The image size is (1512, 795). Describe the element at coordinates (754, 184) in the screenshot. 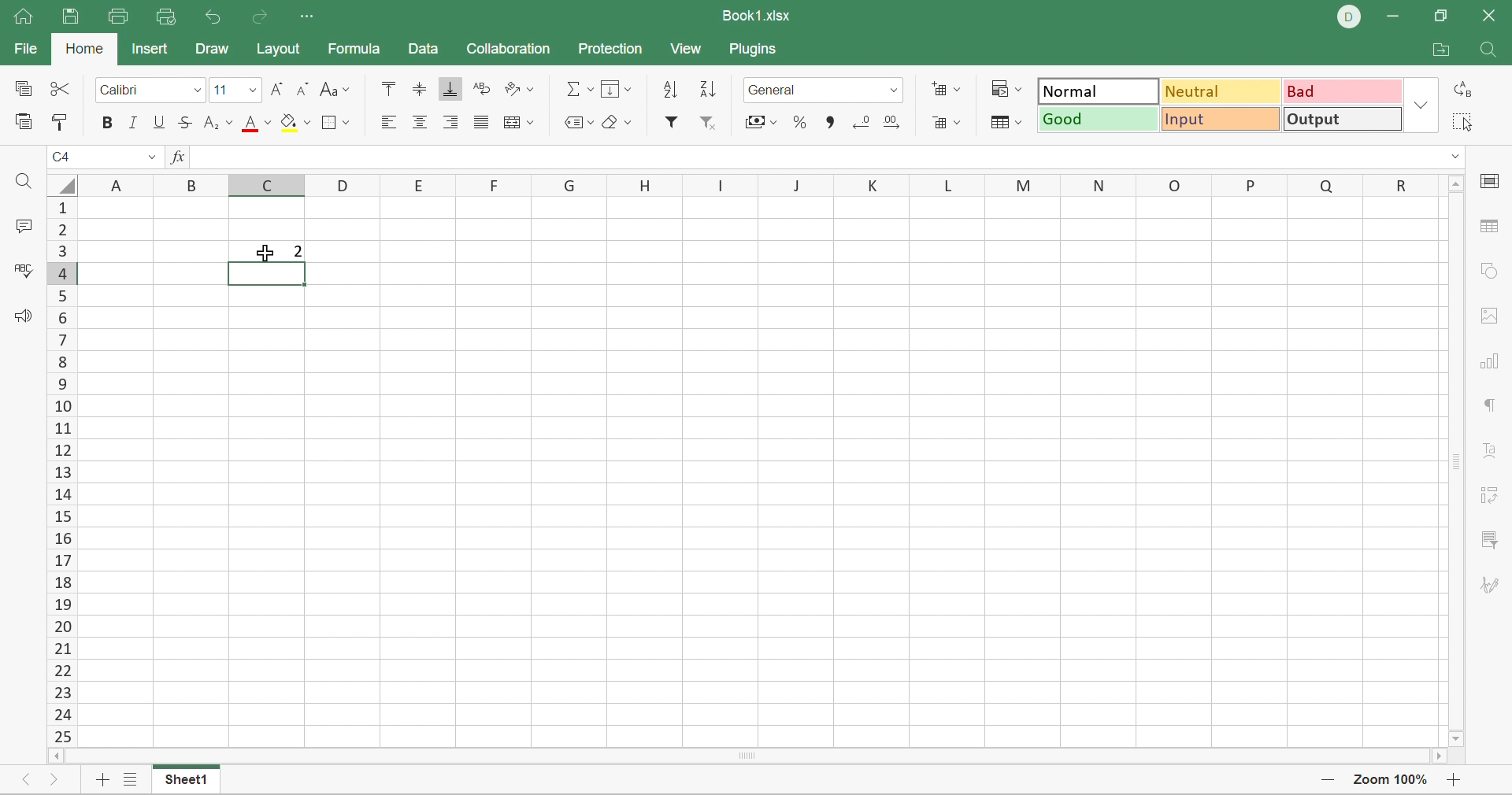

I see `Column names` at that location.